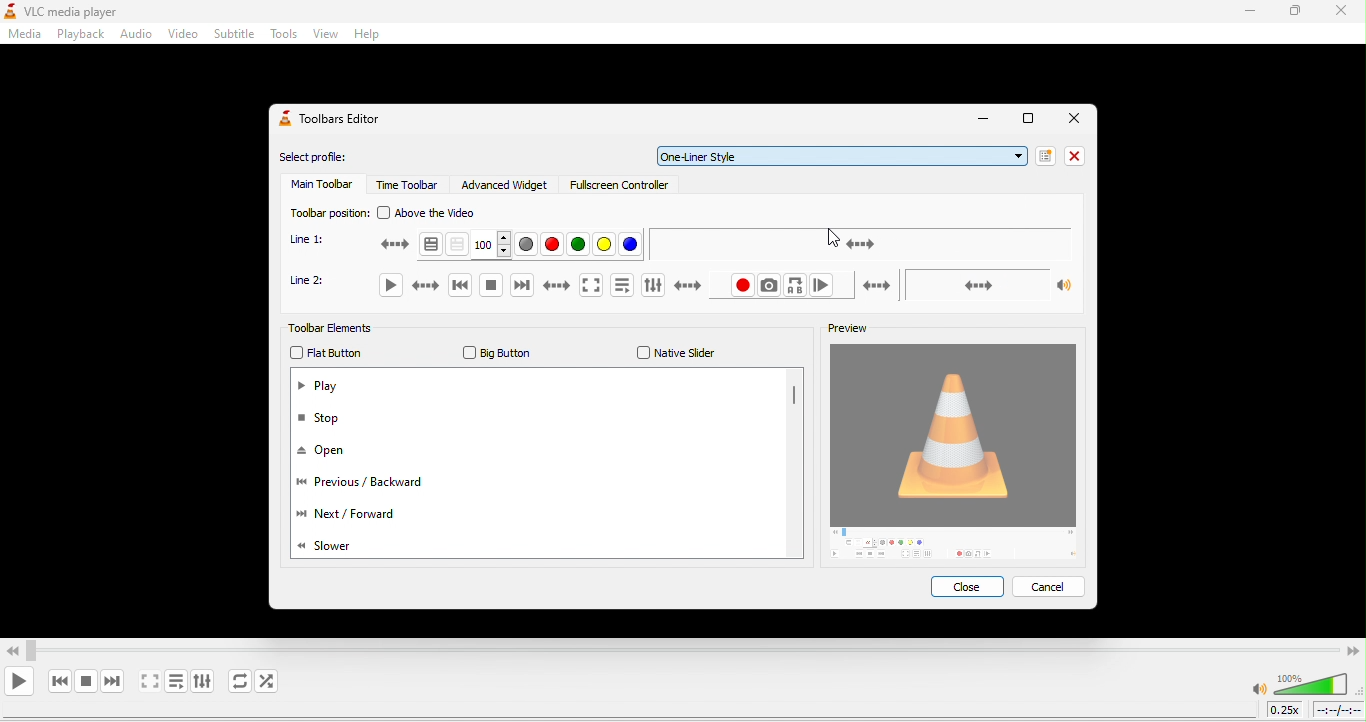 This screenshot has height=722, width=1366. I want to click on timeline, so click(1339, 712).